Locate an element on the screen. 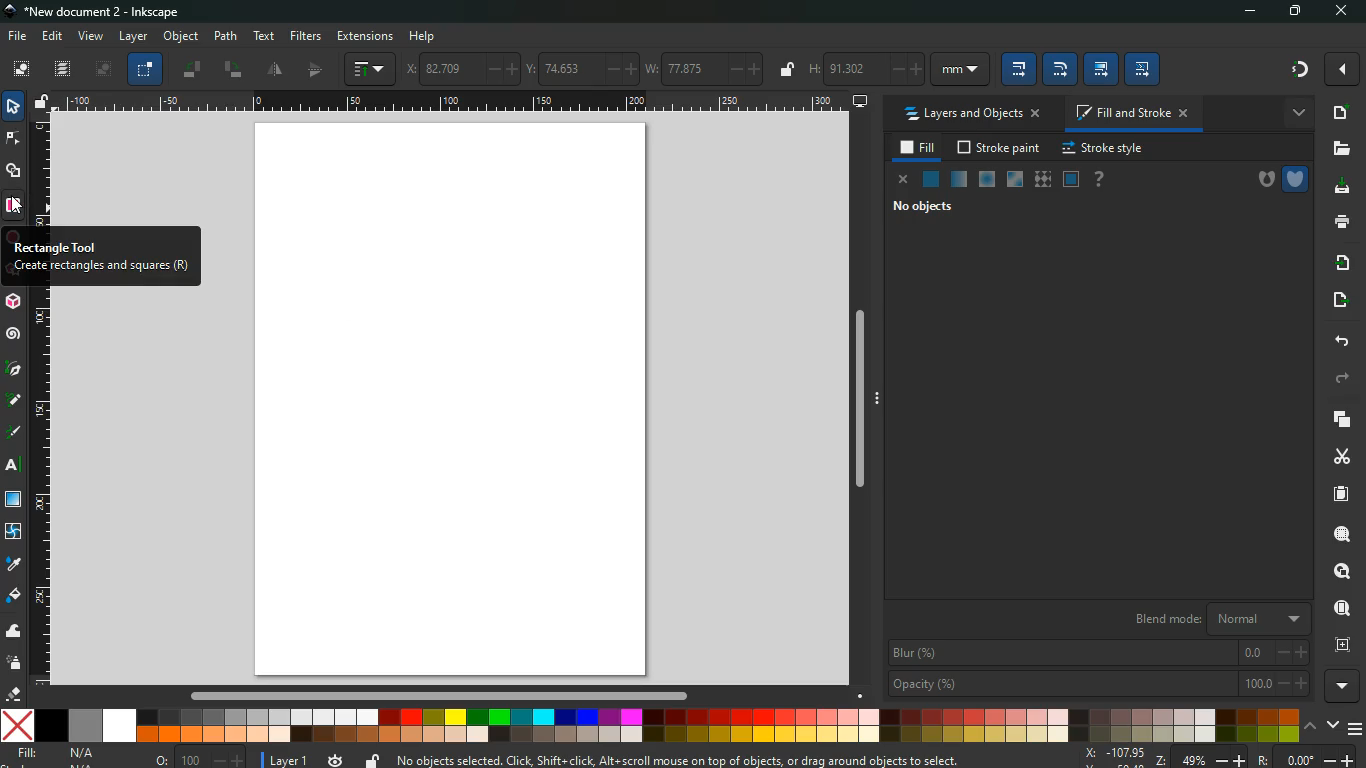 The width and height of the screenshot is (1366, 768). opacity is located at coordinates (1098, 685).